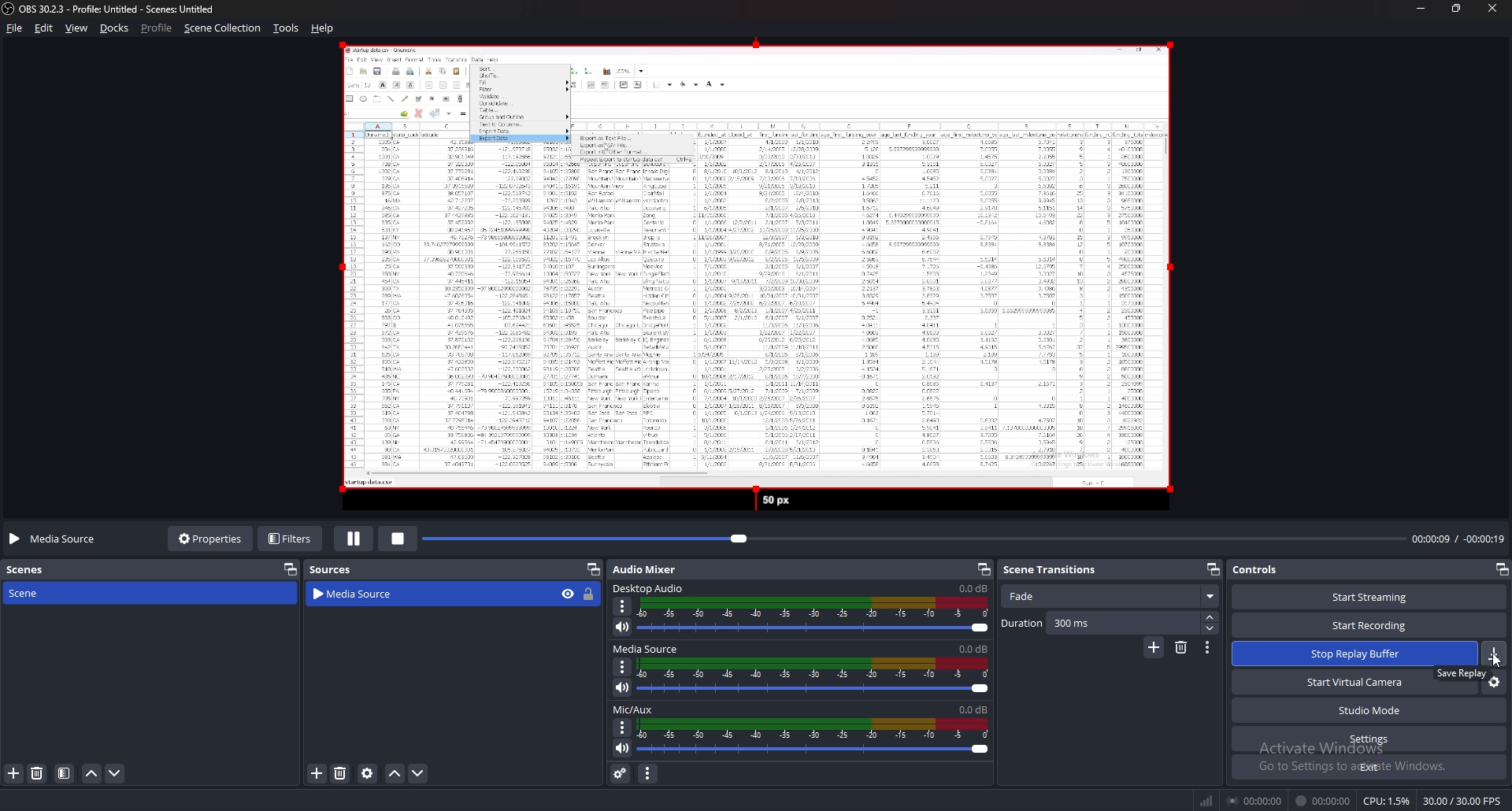  What do you see at coordinates (115, 28) in the screenshot?
I see `docks` at bounding box center [115, 28].